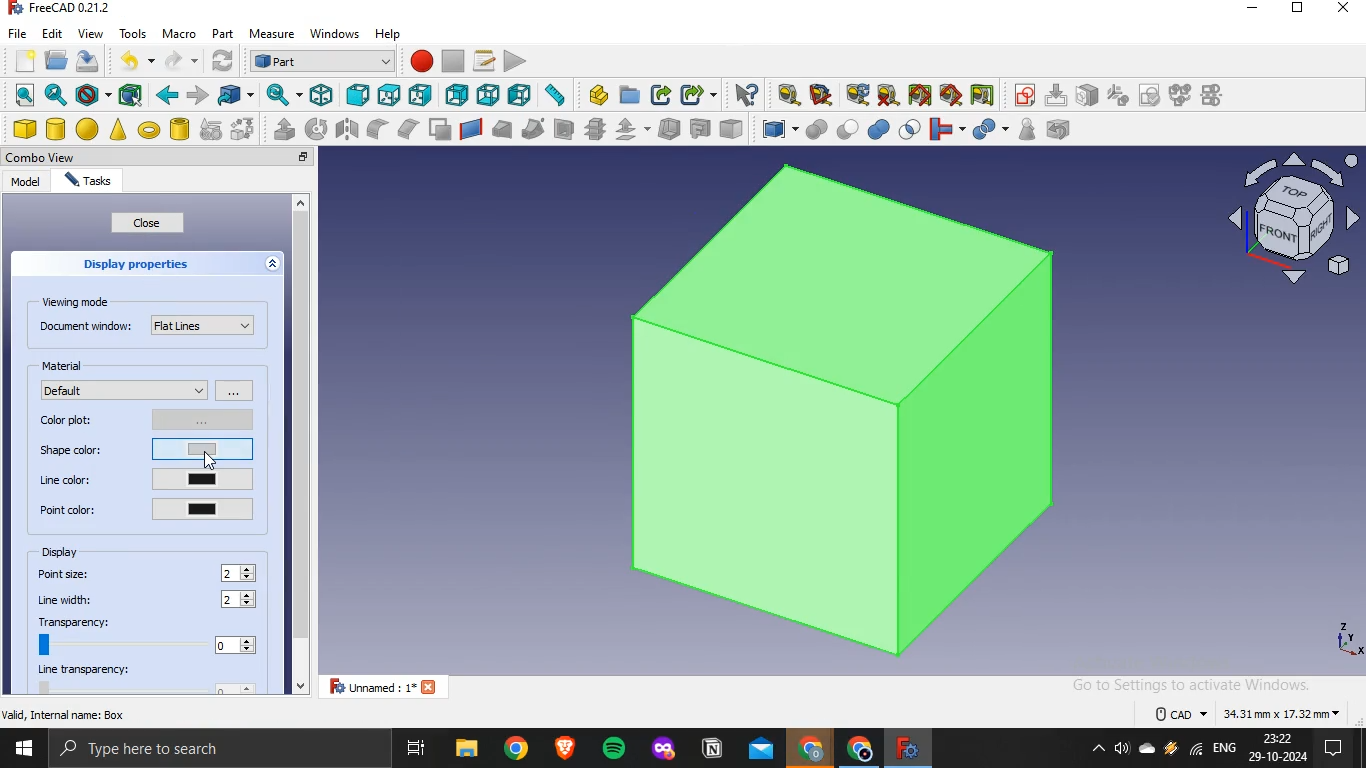  What do you see at coordinates (179, 129) in the screenshot?
I see `create tube` at bounding box center [179, 129].